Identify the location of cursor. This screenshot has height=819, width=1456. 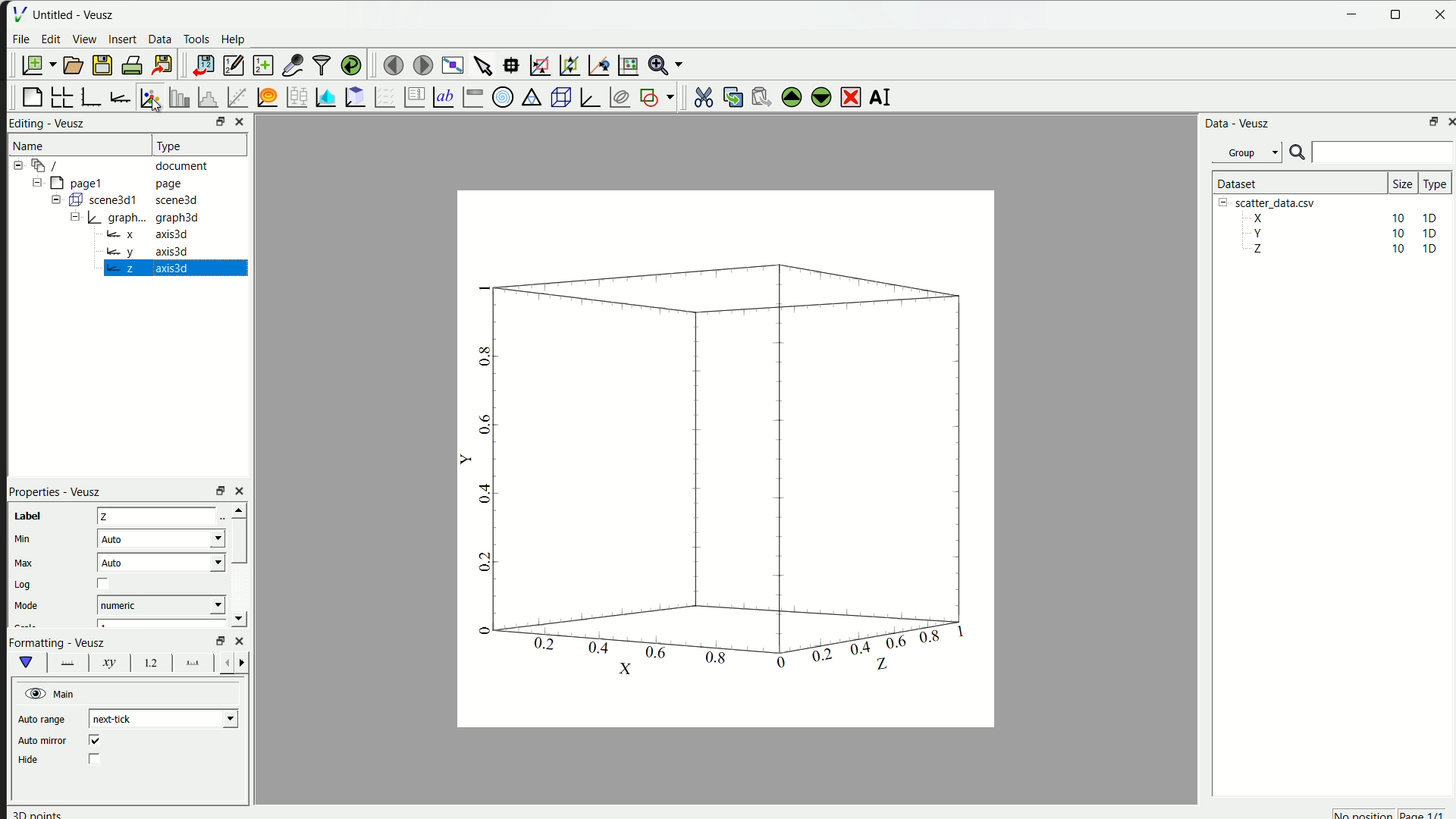
(155, 105).